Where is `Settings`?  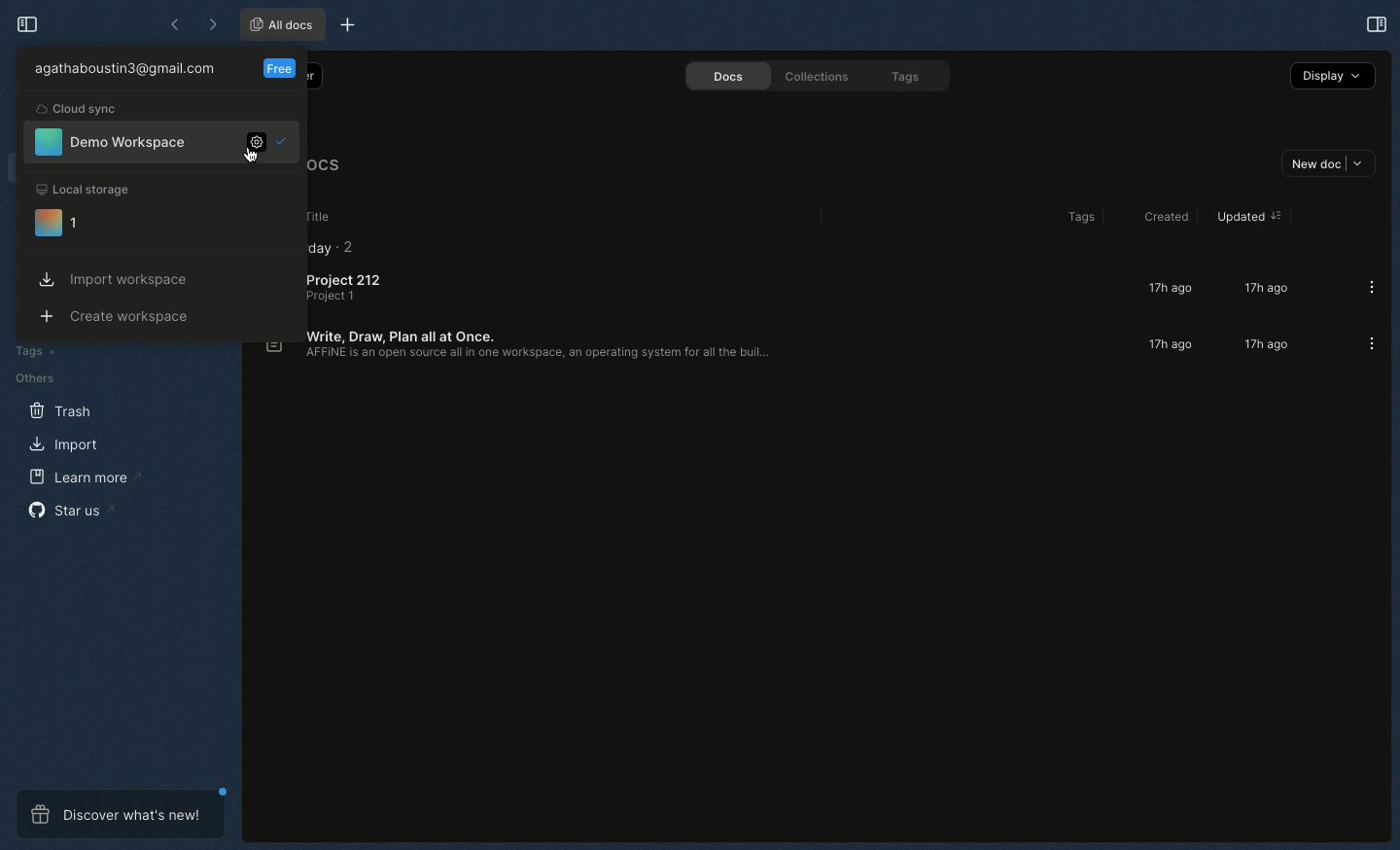
Settings is located at coordinates (250, 146).